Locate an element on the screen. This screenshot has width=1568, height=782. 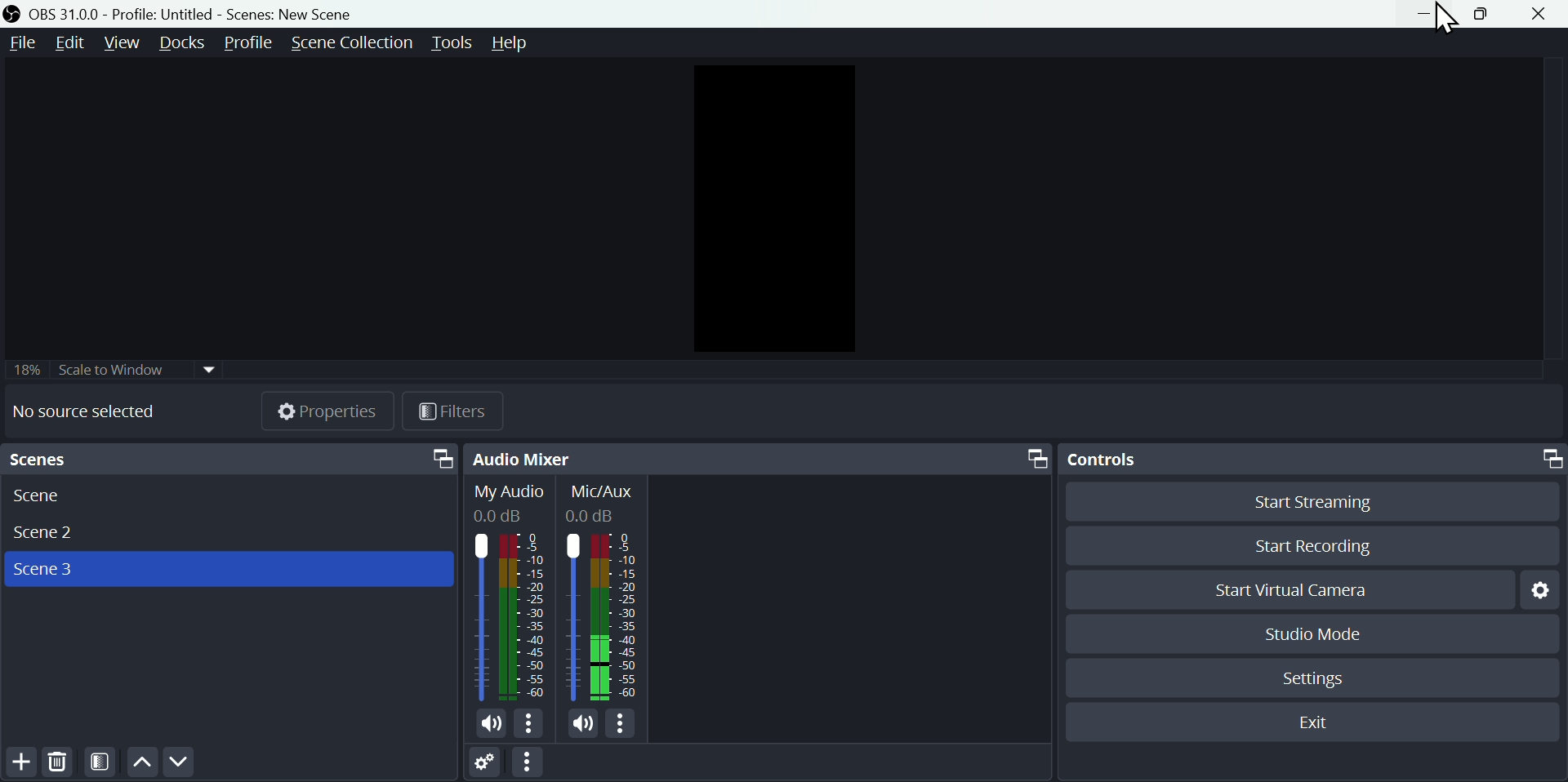
Profile Title is located at coordinates (163, 15).